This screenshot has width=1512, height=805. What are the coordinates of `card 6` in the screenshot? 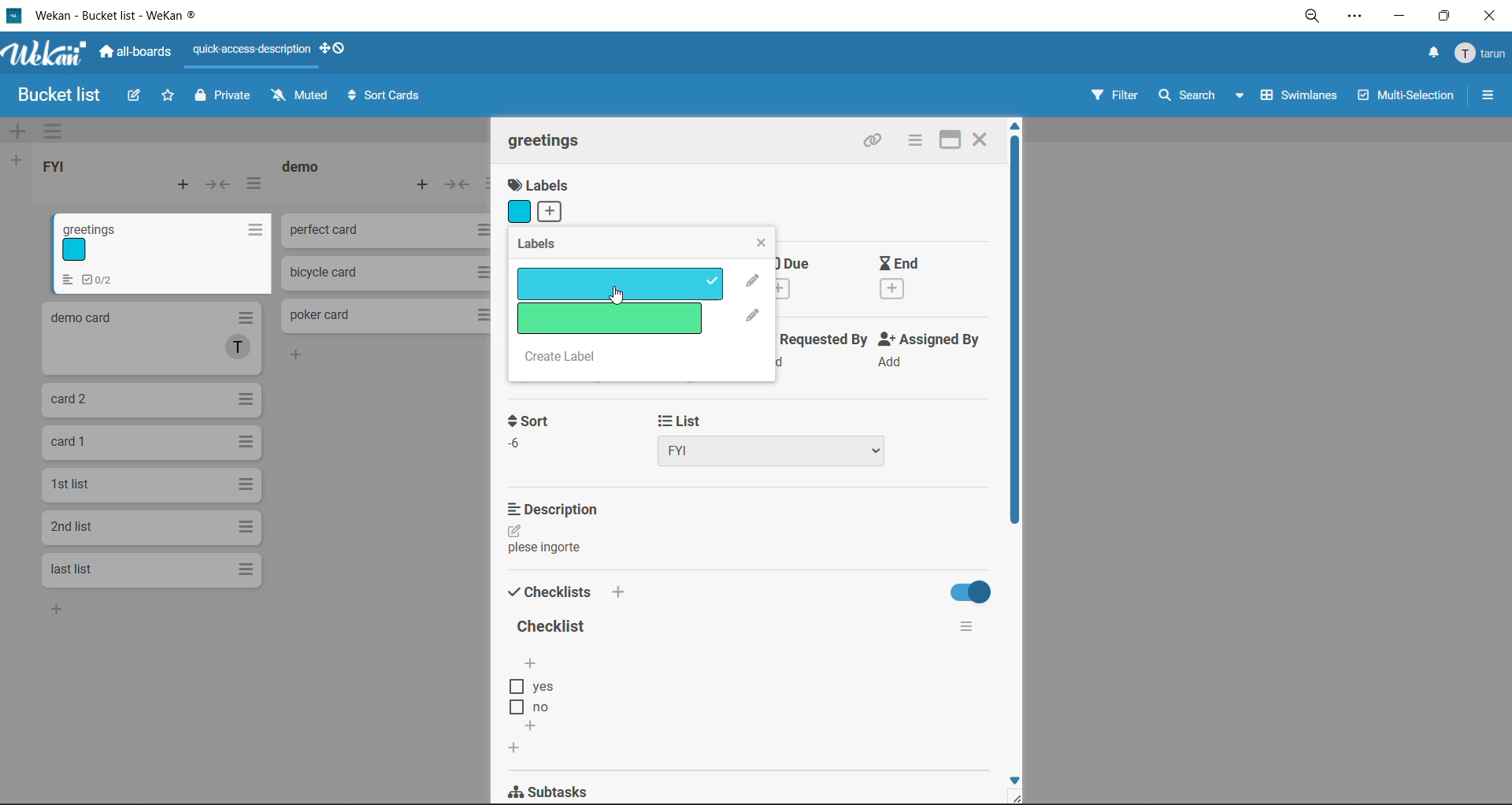 It's located at (149, 525).